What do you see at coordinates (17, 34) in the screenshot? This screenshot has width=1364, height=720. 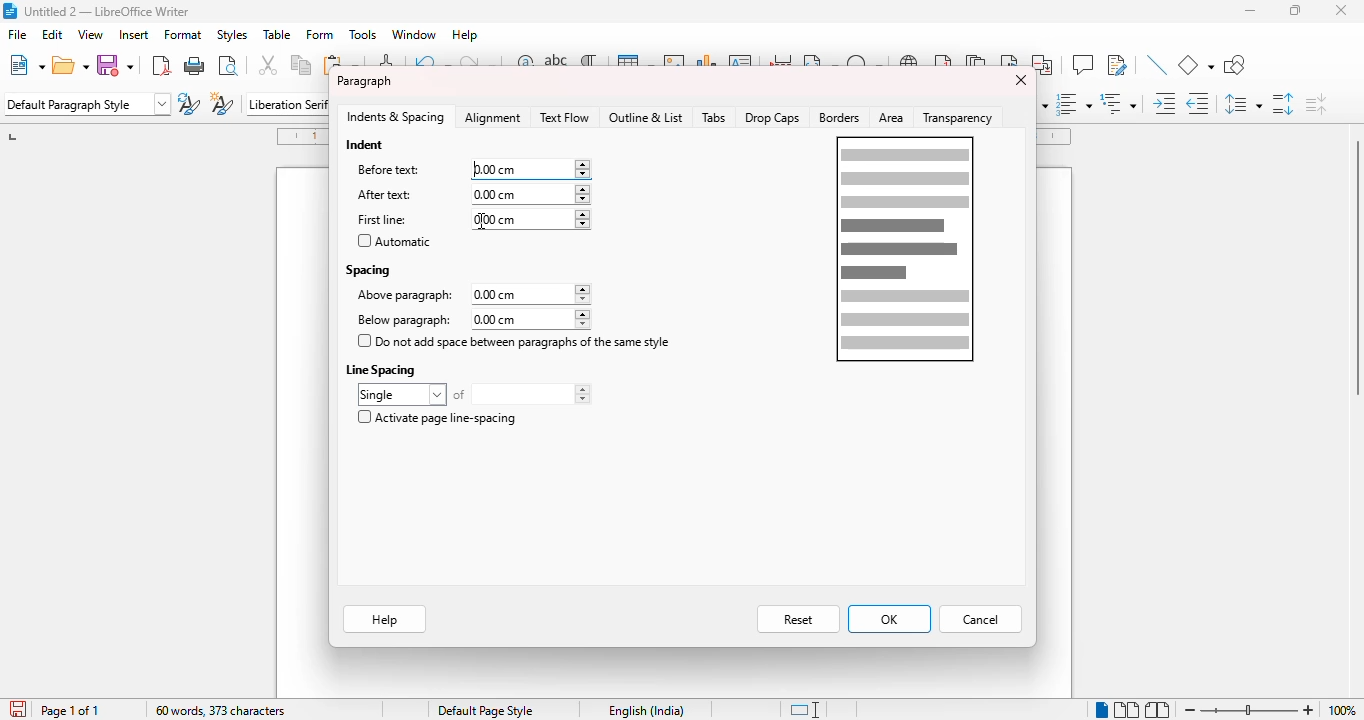 I see `file` at bounding box center [17, 34].